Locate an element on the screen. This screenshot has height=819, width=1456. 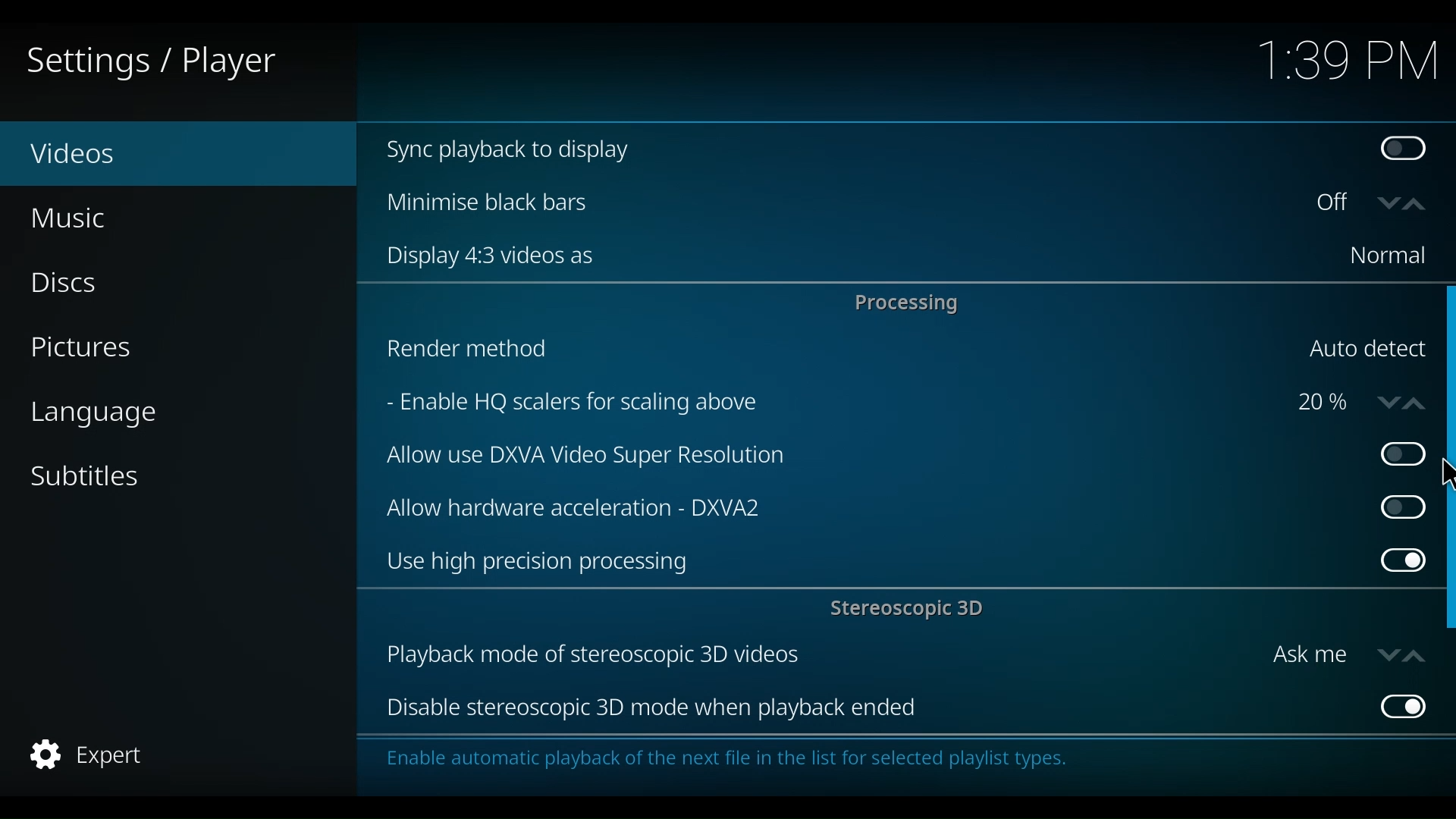
down is located at coordinates (1384, 401).